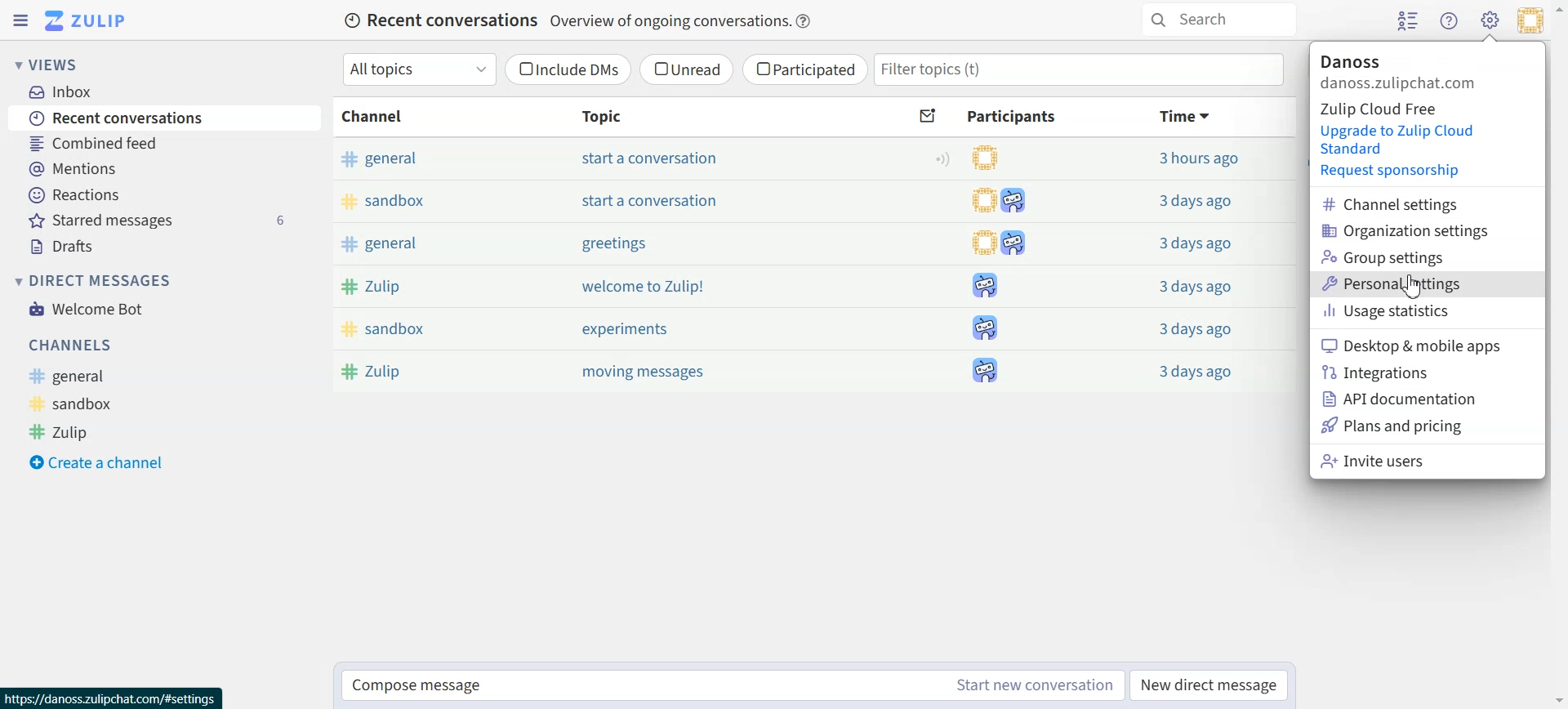 The height and width of the screenshot is (709, 1568). I want to click on Zulip, so click(60, 432).